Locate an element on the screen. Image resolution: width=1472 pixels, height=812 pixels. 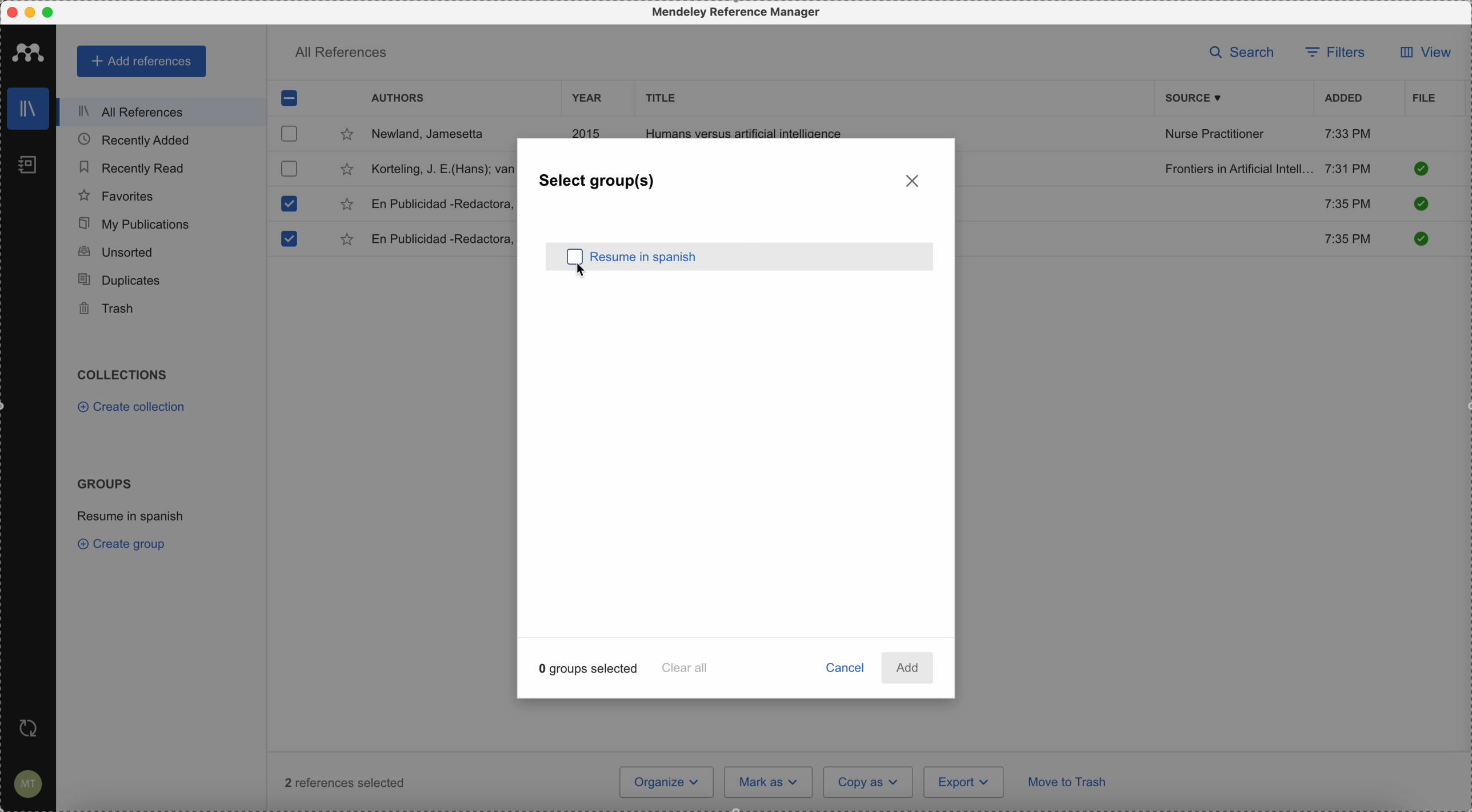
groups is located at coordinates (104, 482).